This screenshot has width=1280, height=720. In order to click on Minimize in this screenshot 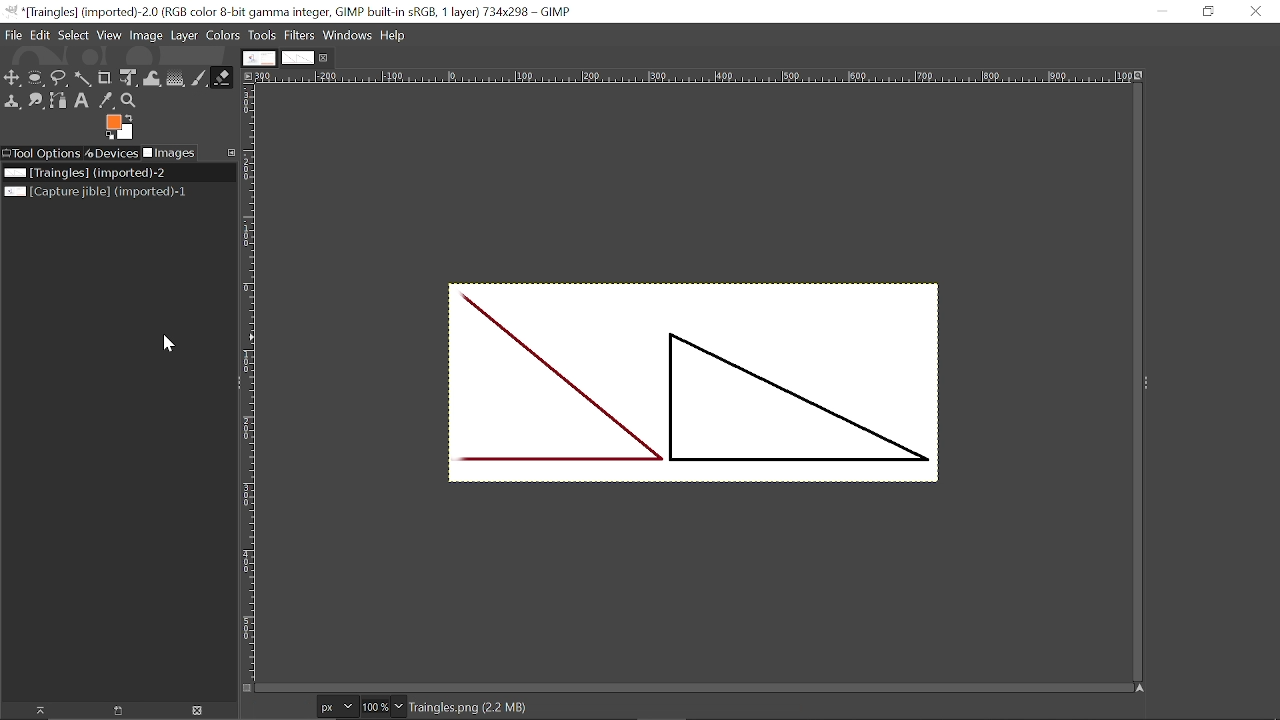, I will do `click(1162, 12)`.